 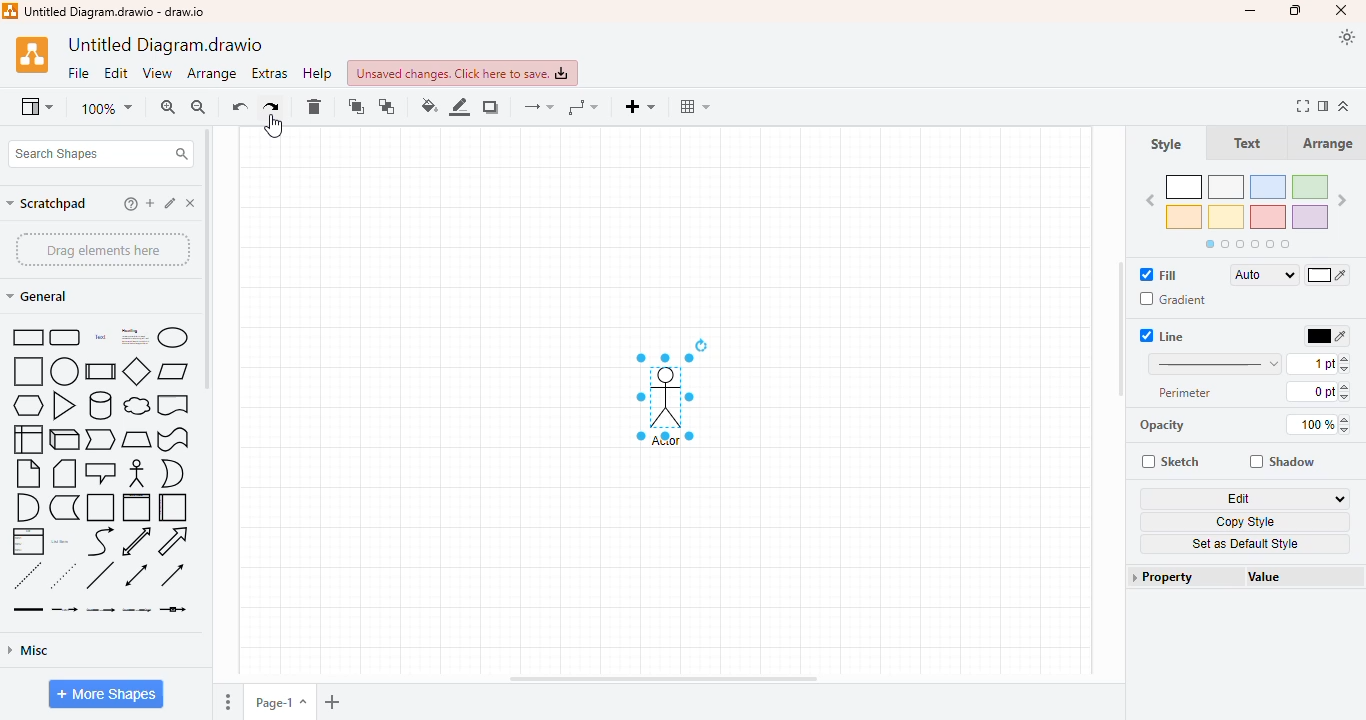 What do you see at coordinates (356, 107) in the screenshot?
I see `to front` at bounding box center [356, 107].